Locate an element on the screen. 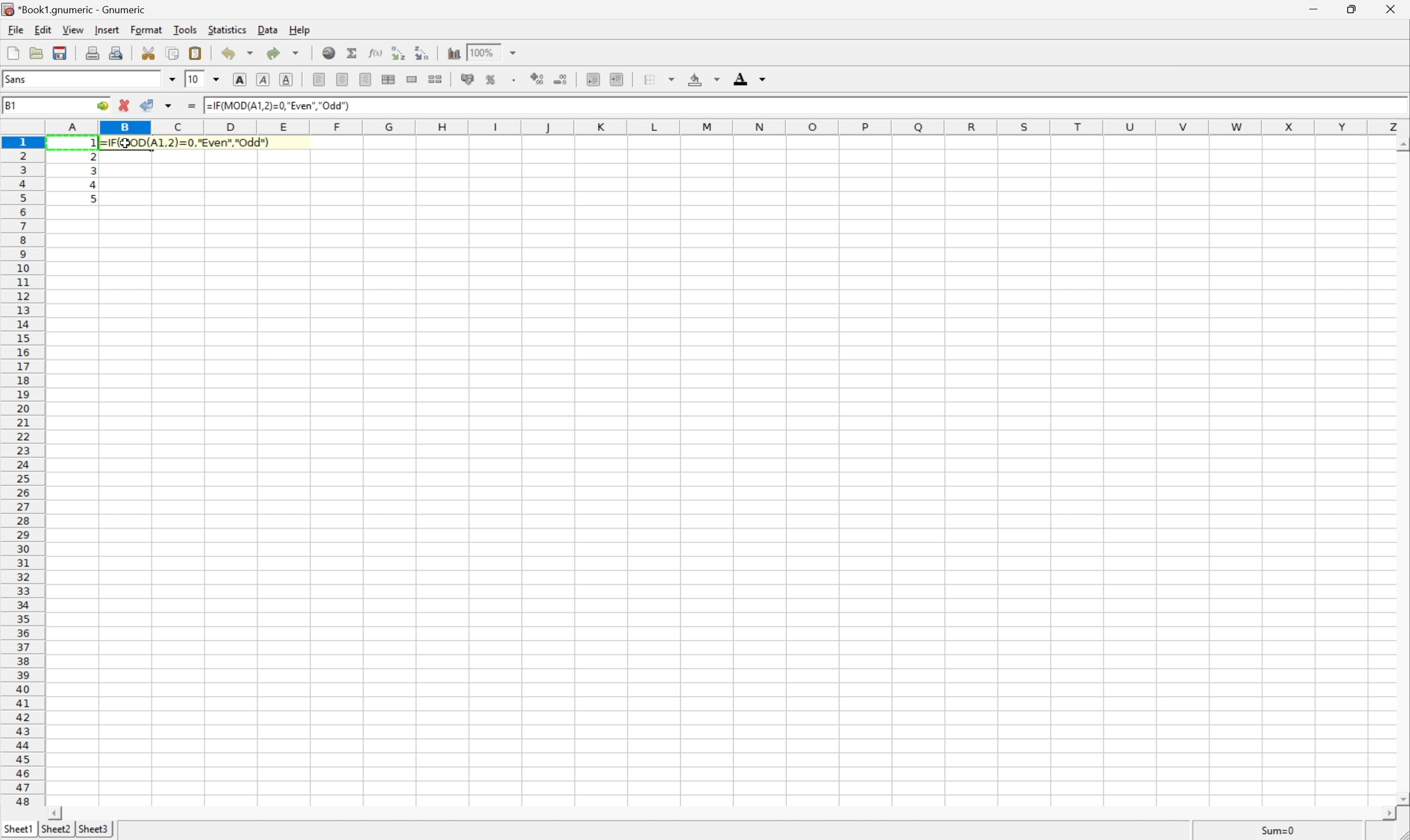 The width and height of the screenshot is (1410, 840). Scroll Left is located at coordinates (59, 812).